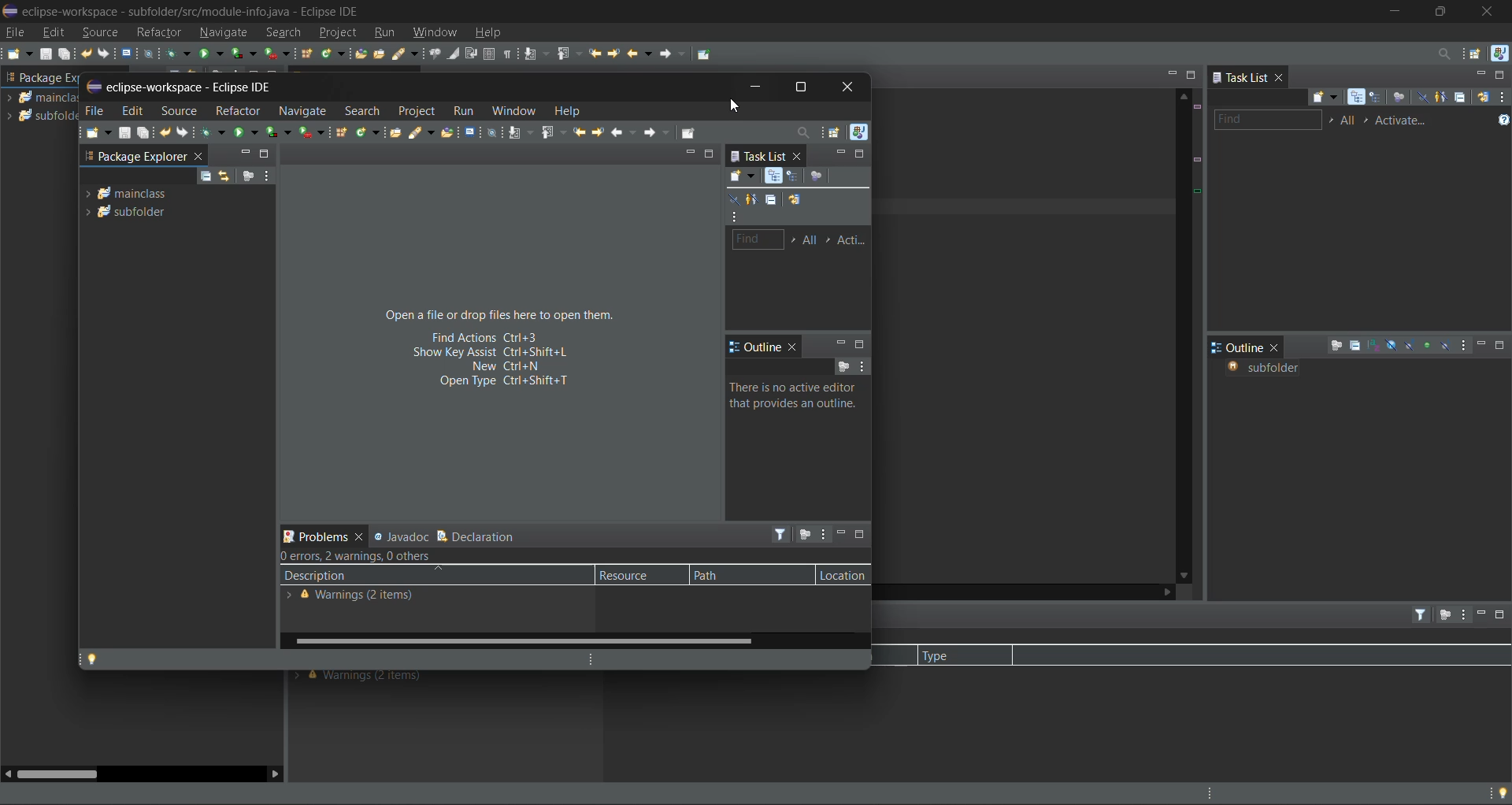 The width and height of the screenshot is (1512, 805). Describe the element at coordinates (341, 134) in the screenshot. I see `new java package` at that location.